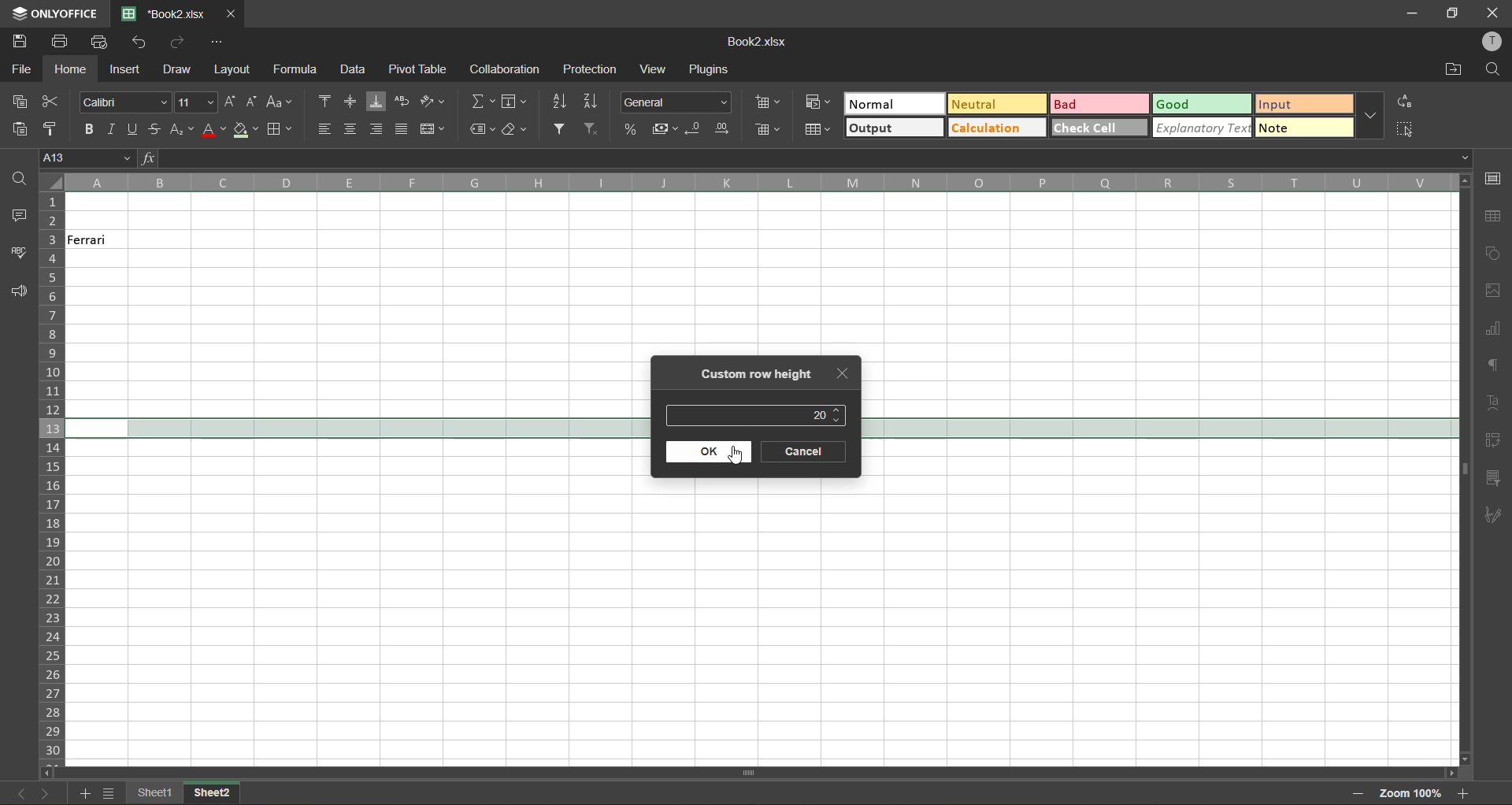 The height and width of the screenshot is (805, 1512). Describe the element at coordinates (514, 103) in the screenshot. I see `fields` at that location.